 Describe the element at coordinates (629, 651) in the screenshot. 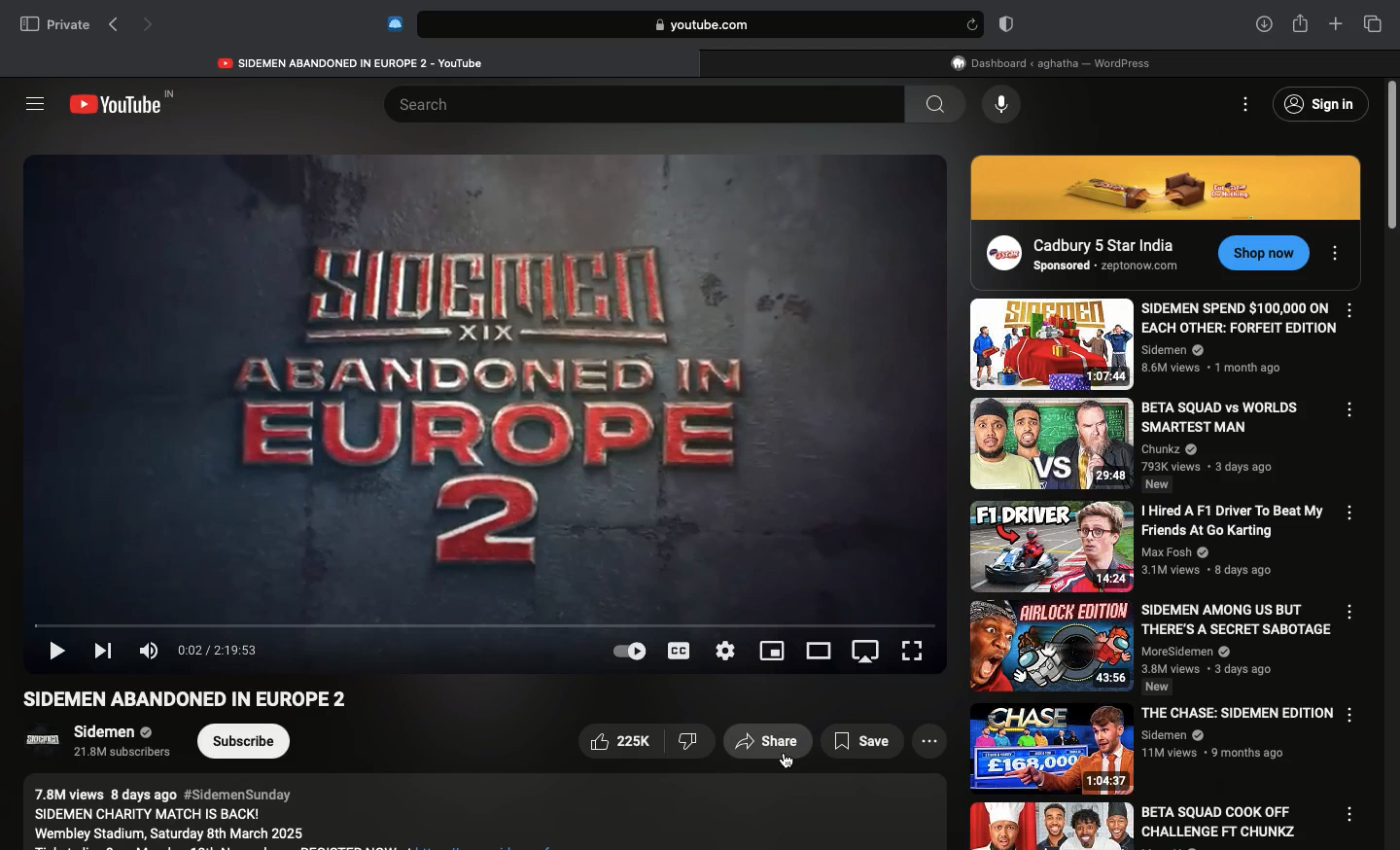

I see `Auto` at that location.